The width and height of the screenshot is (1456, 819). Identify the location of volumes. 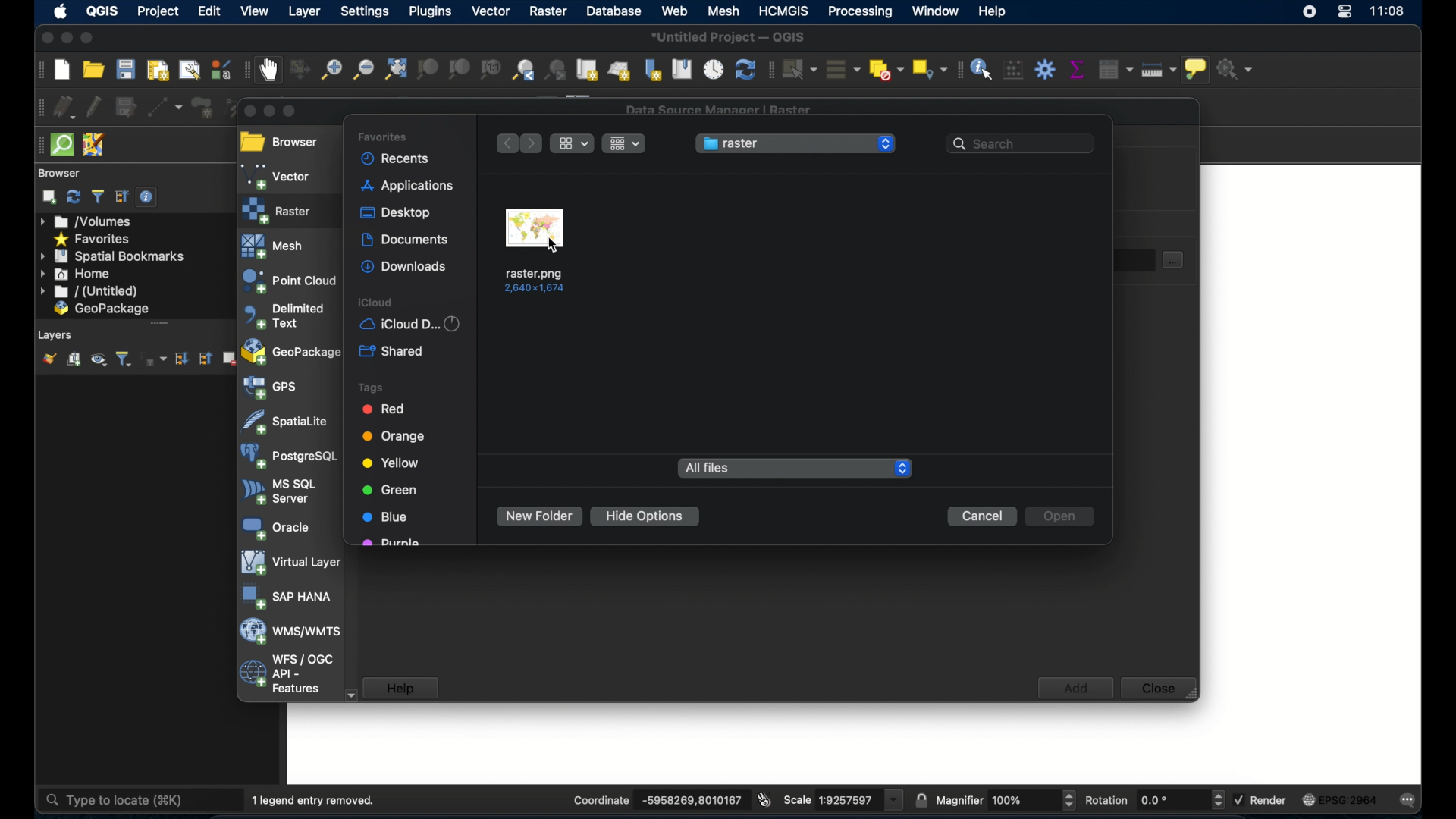
(87, 222).